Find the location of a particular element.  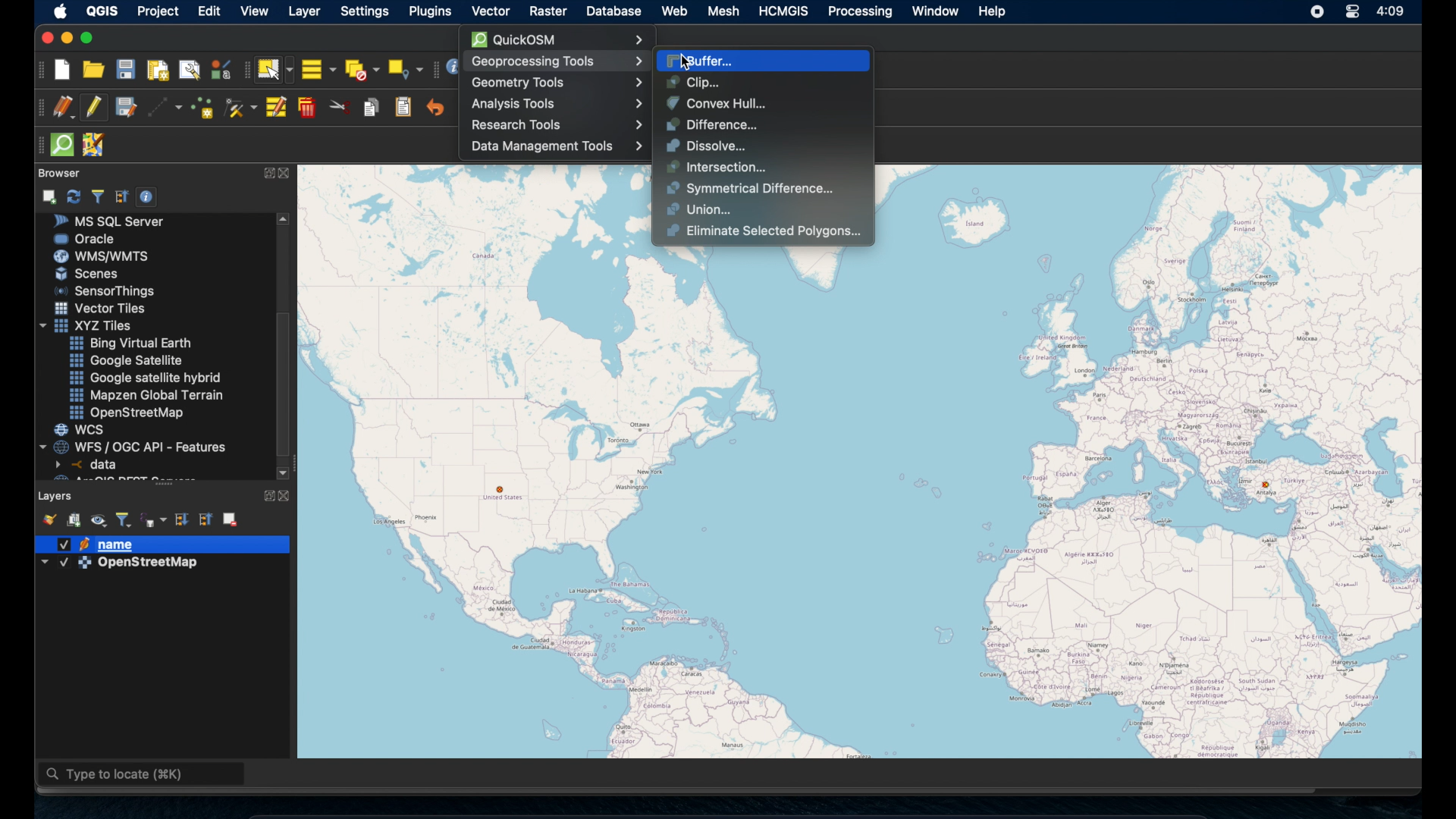

collapse all is located at coordinates (207, 519).